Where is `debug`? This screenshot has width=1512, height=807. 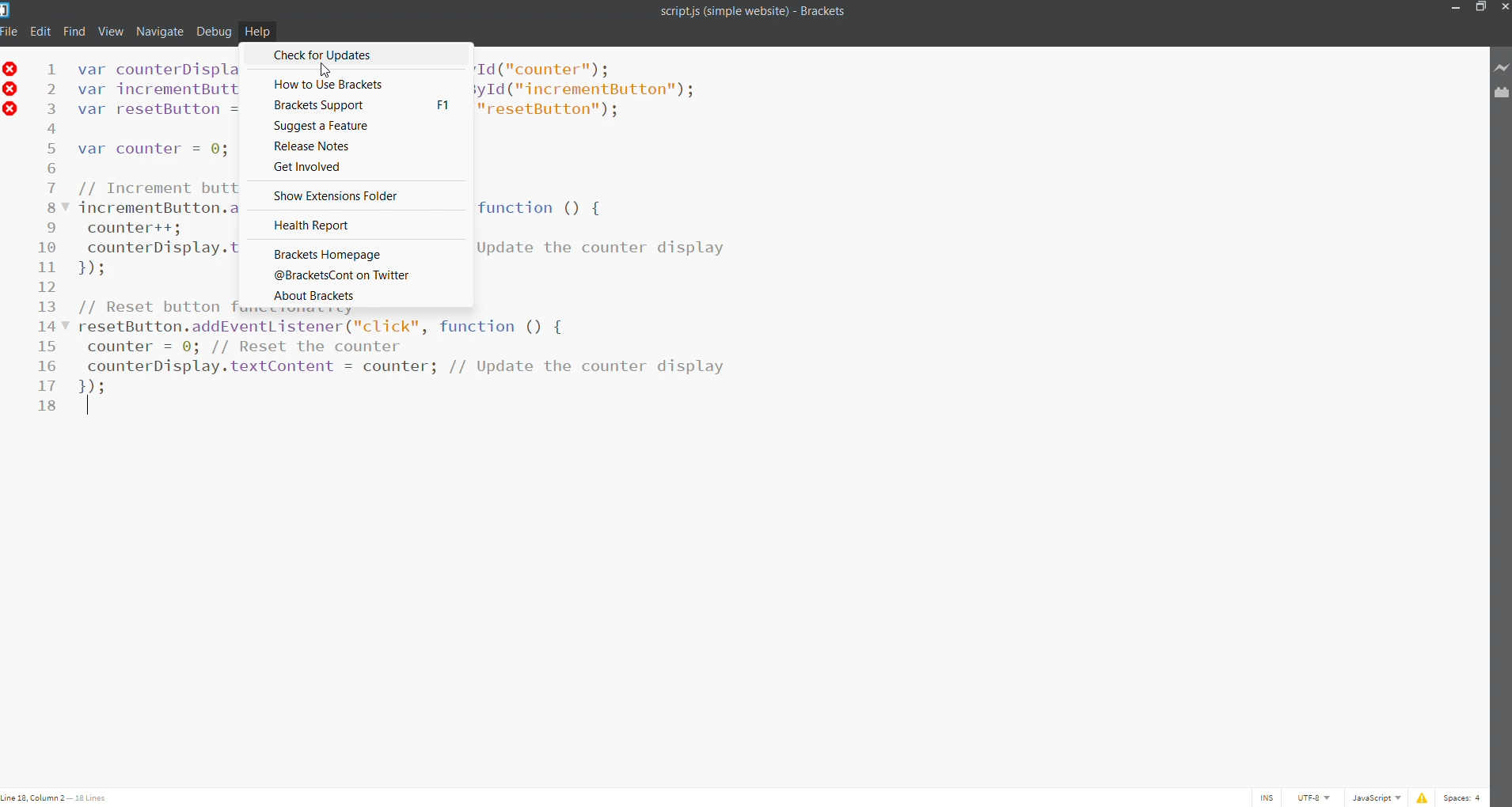 debug is located at coordinates (214, 31).